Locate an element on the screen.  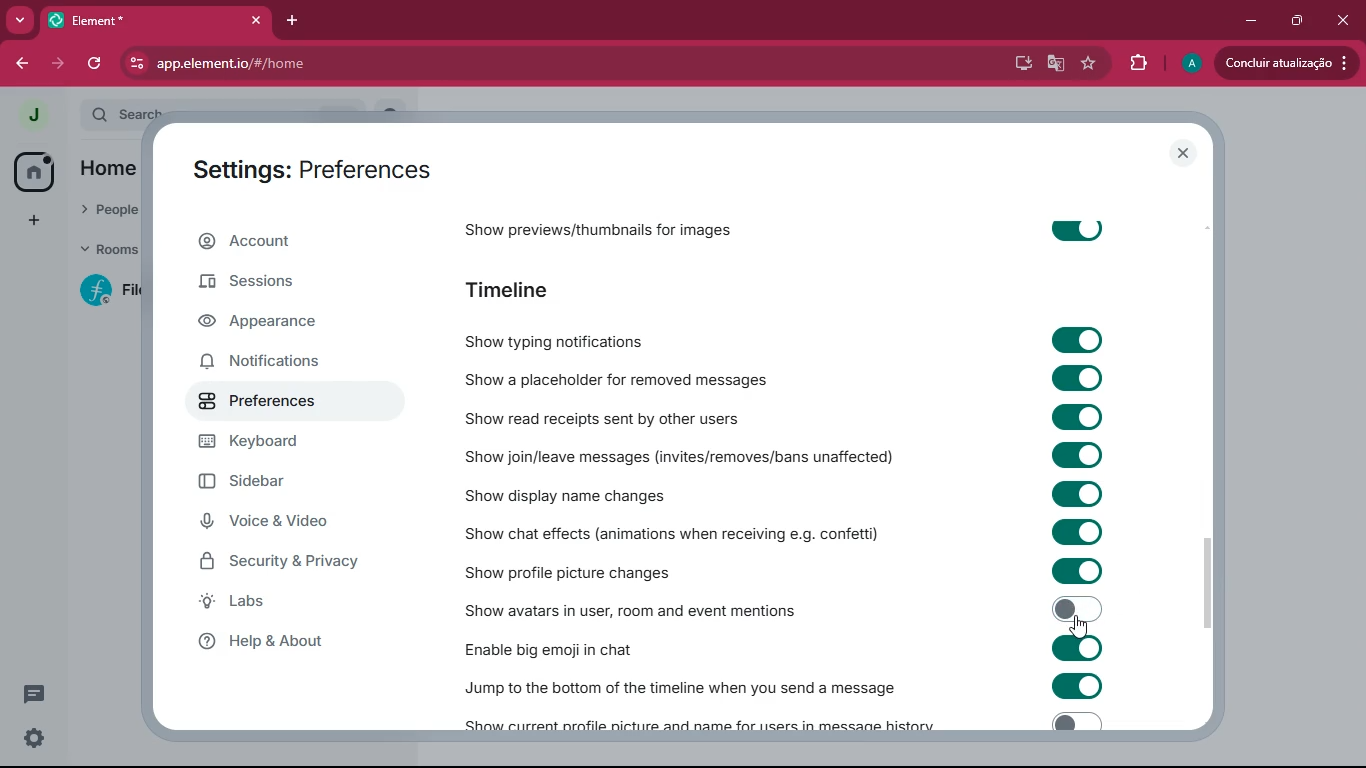
toggle on  is located at coordinates (1077, 569).